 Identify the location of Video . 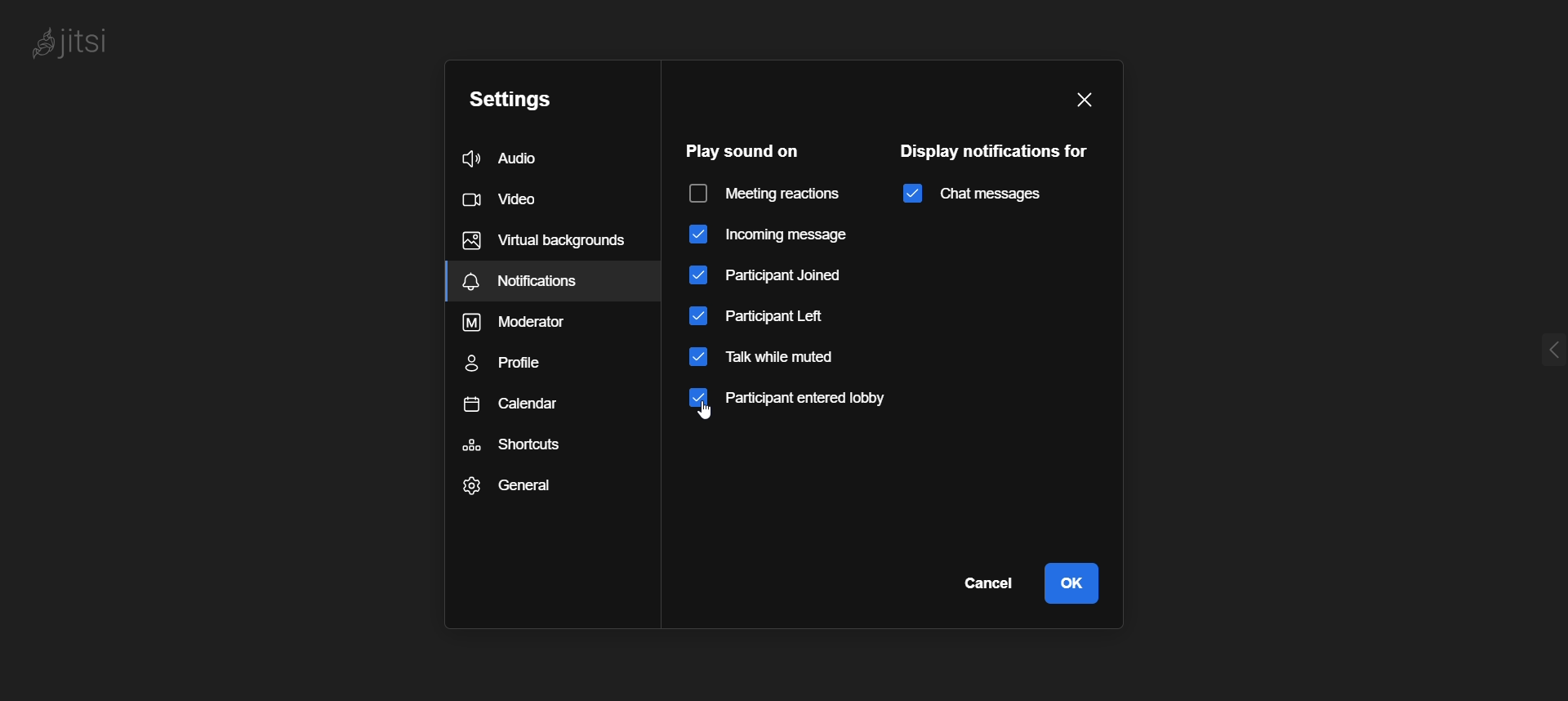
(523, 201).